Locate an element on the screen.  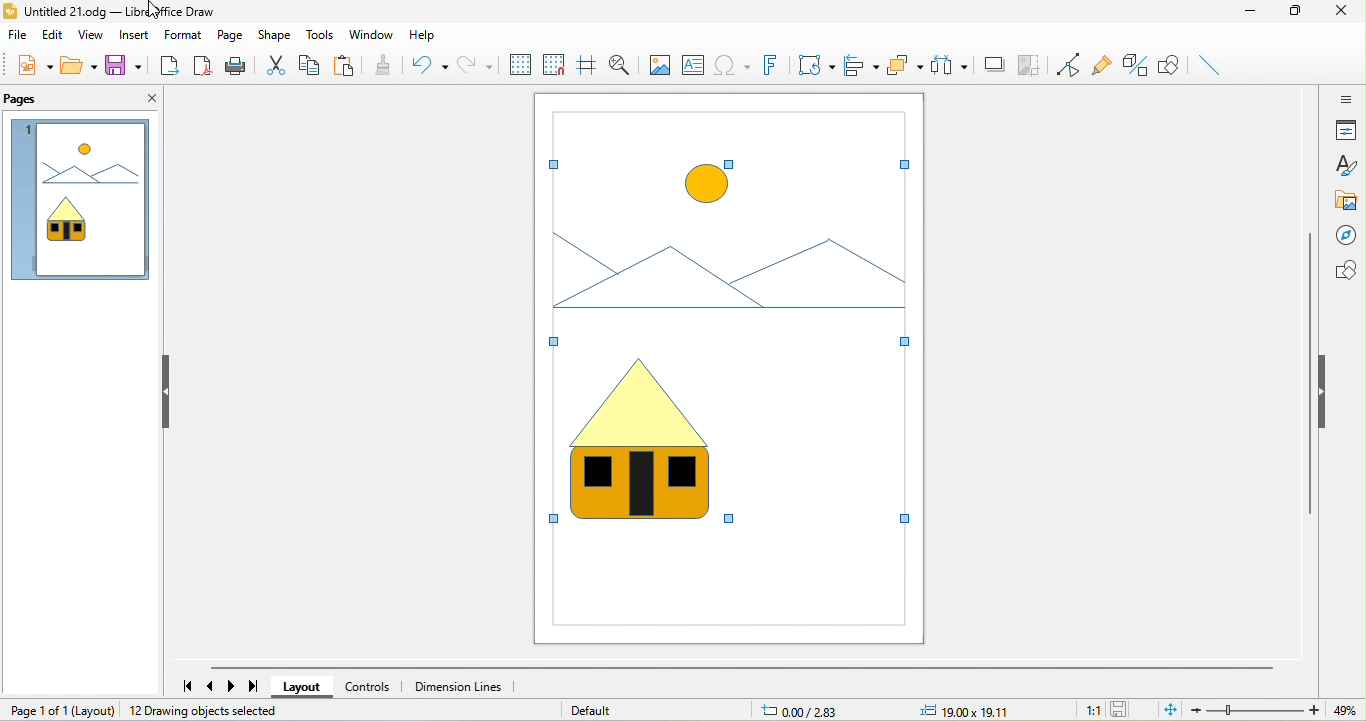
window is located at coordinates (370, 35).